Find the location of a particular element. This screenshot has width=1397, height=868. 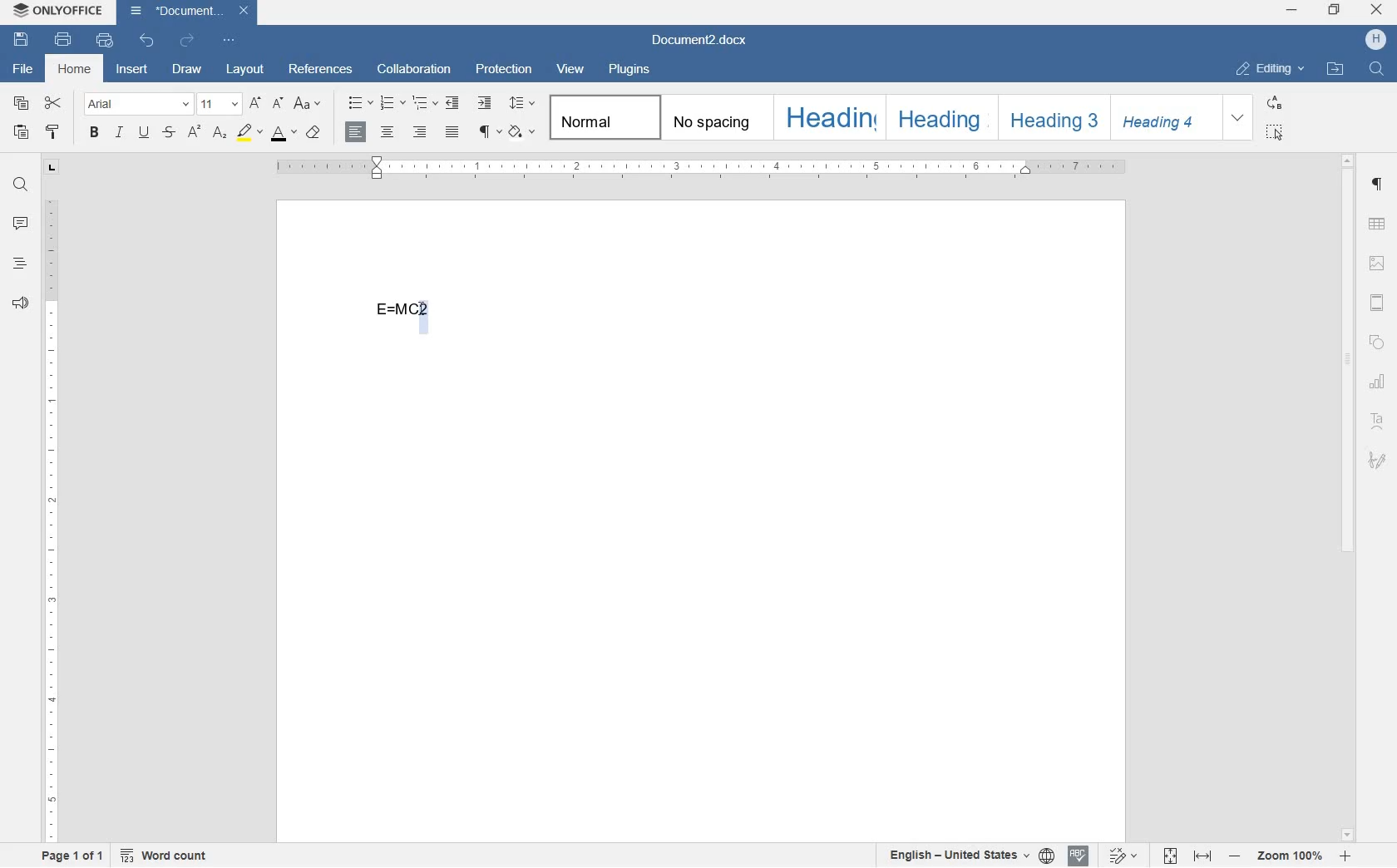

quick print is located at coordinates (104, 40).